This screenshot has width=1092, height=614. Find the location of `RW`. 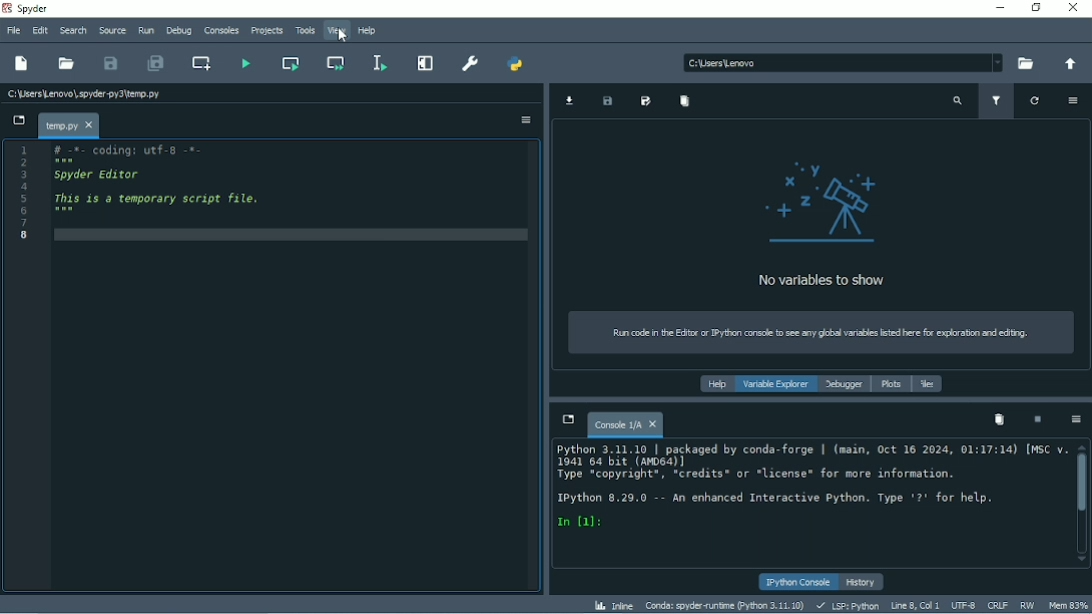

RW is located at coordinates (1026, 604).